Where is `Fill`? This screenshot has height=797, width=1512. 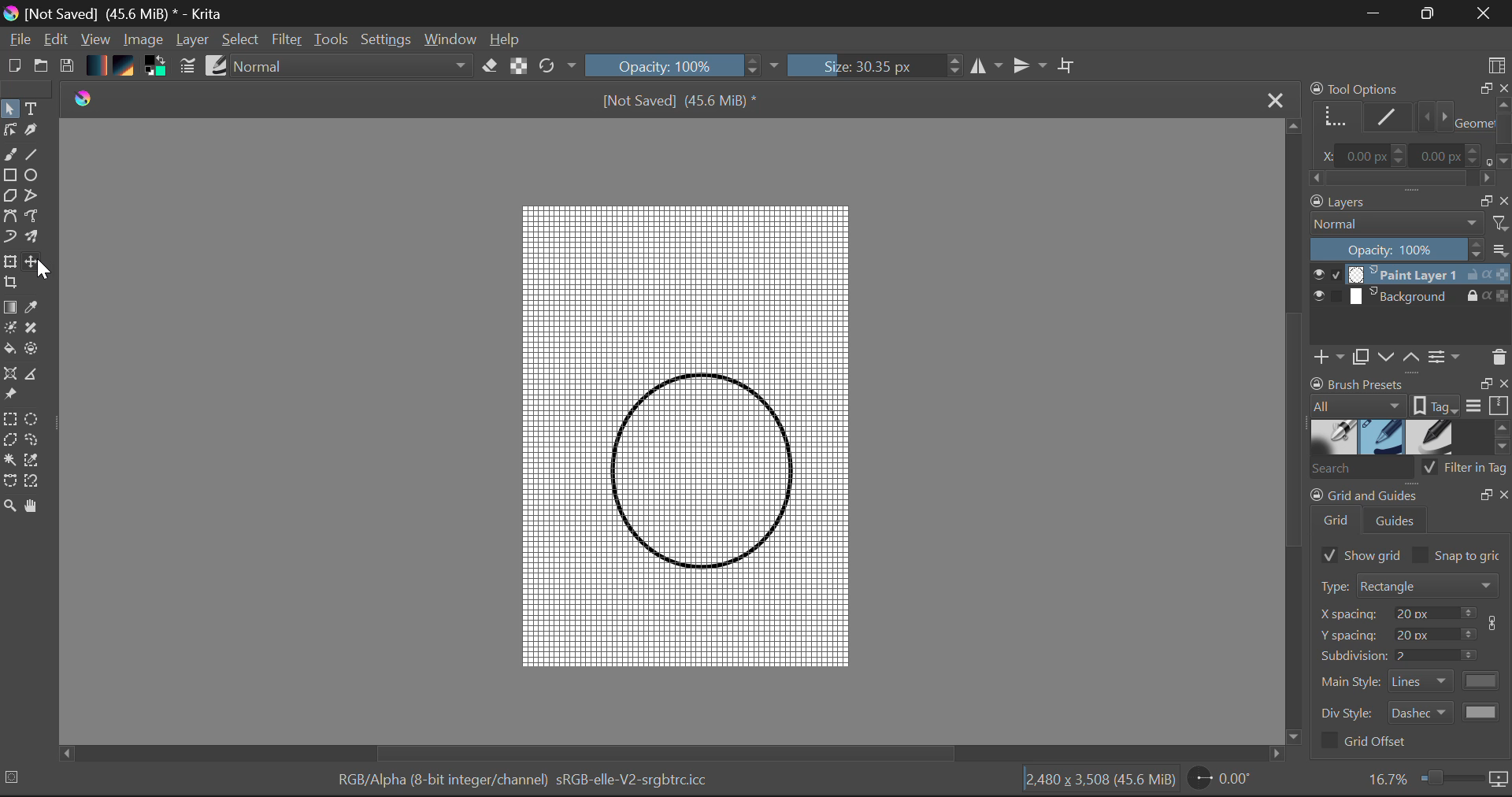
Fill is located at coordinates (9, 350).